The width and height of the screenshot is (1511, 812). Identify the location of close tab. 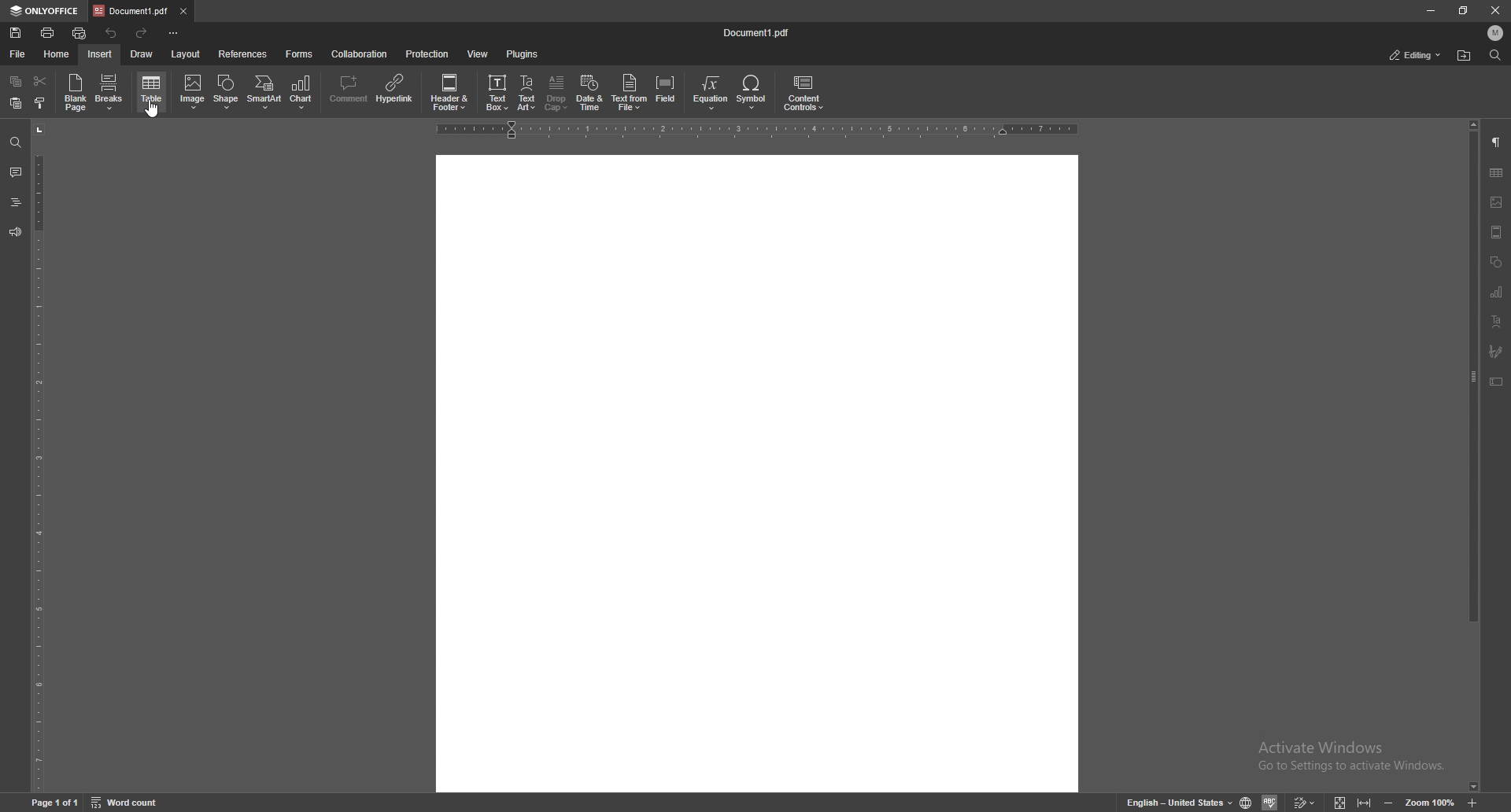
(184, 12).